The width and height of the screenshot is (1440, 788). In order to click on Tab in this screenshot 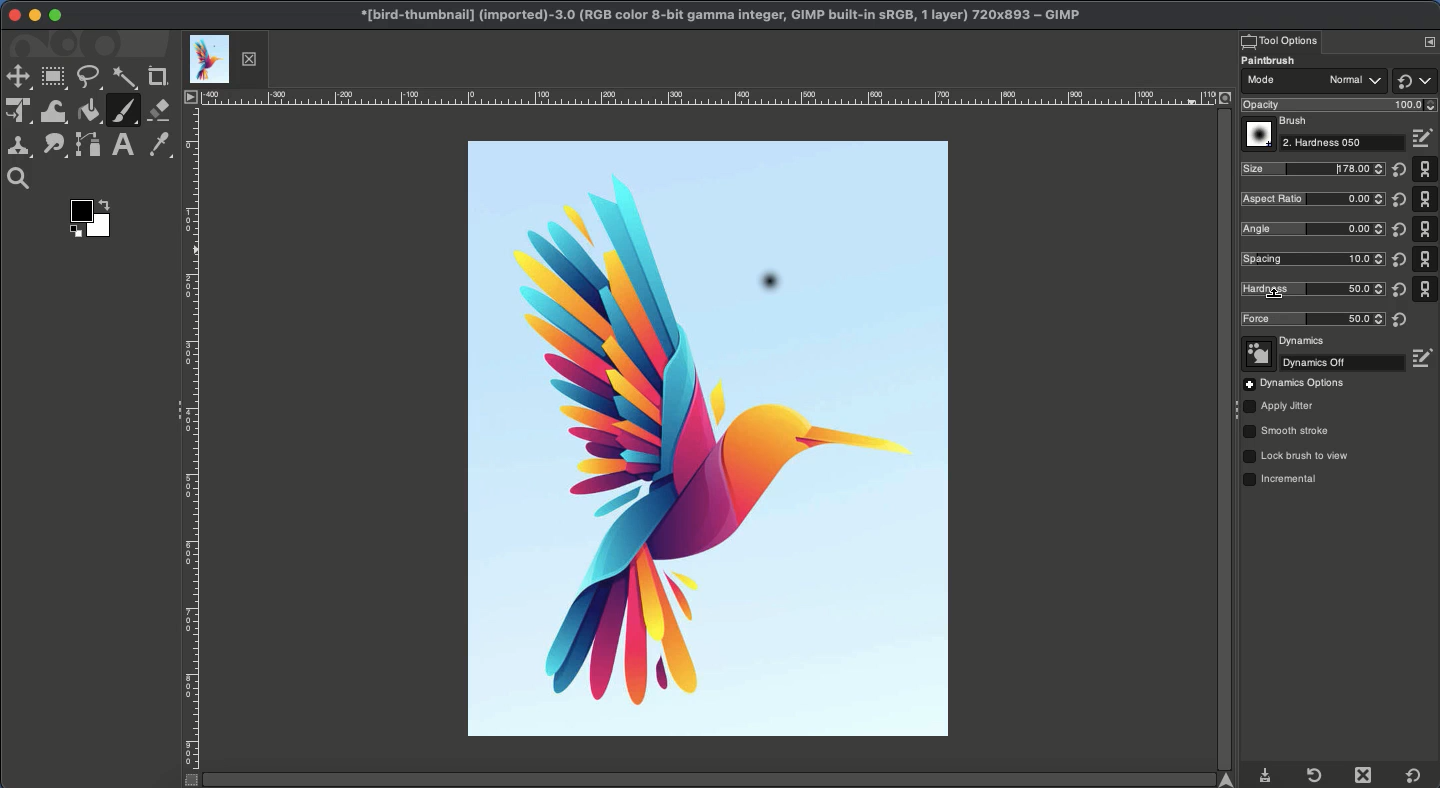, I will do `click(224, 59)`.